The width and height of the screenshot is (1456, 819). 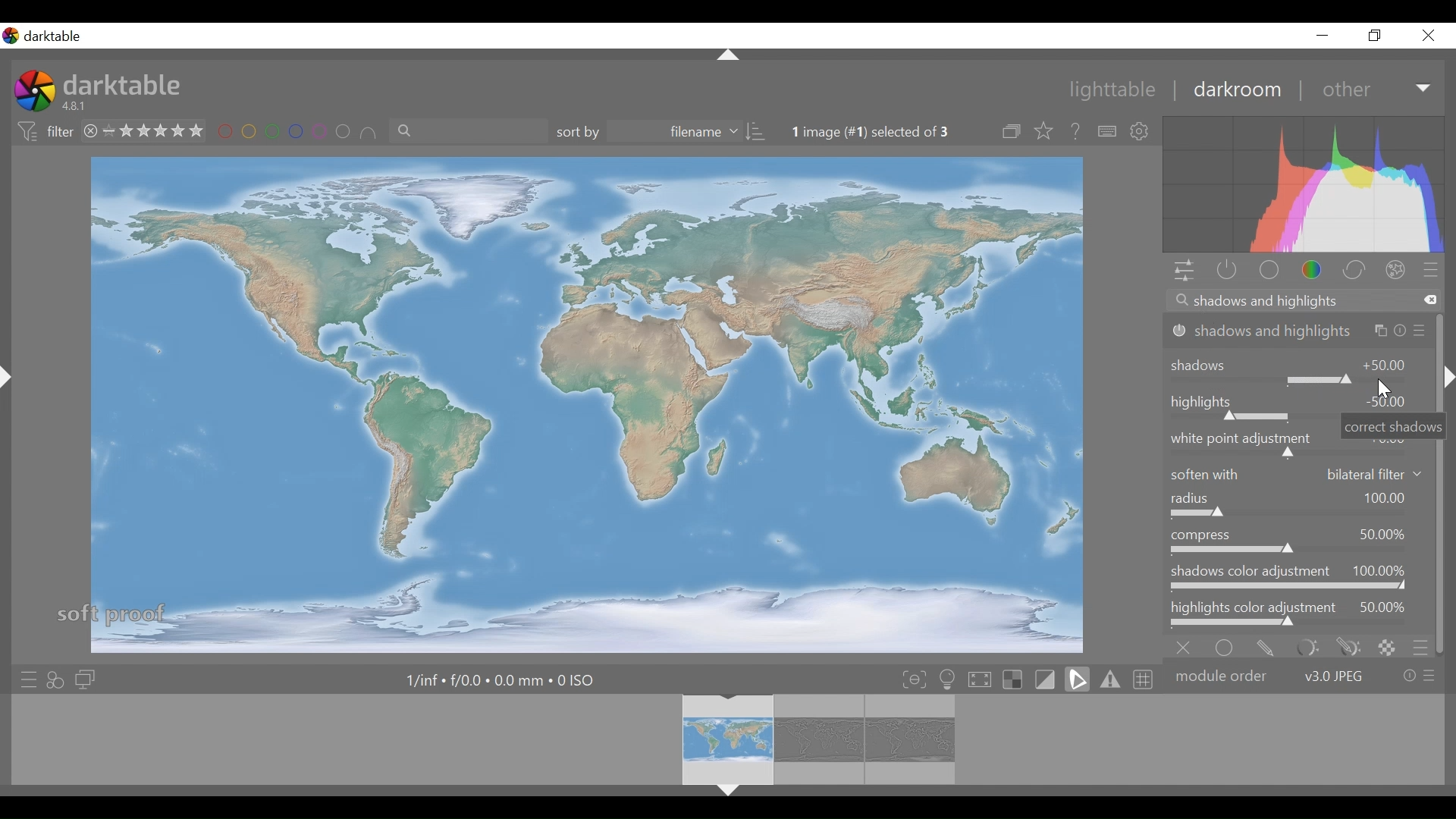 What do you see at coordinates (583, 403) in the screenshot?
I see `main editing area` at bounding box center [583, 403].